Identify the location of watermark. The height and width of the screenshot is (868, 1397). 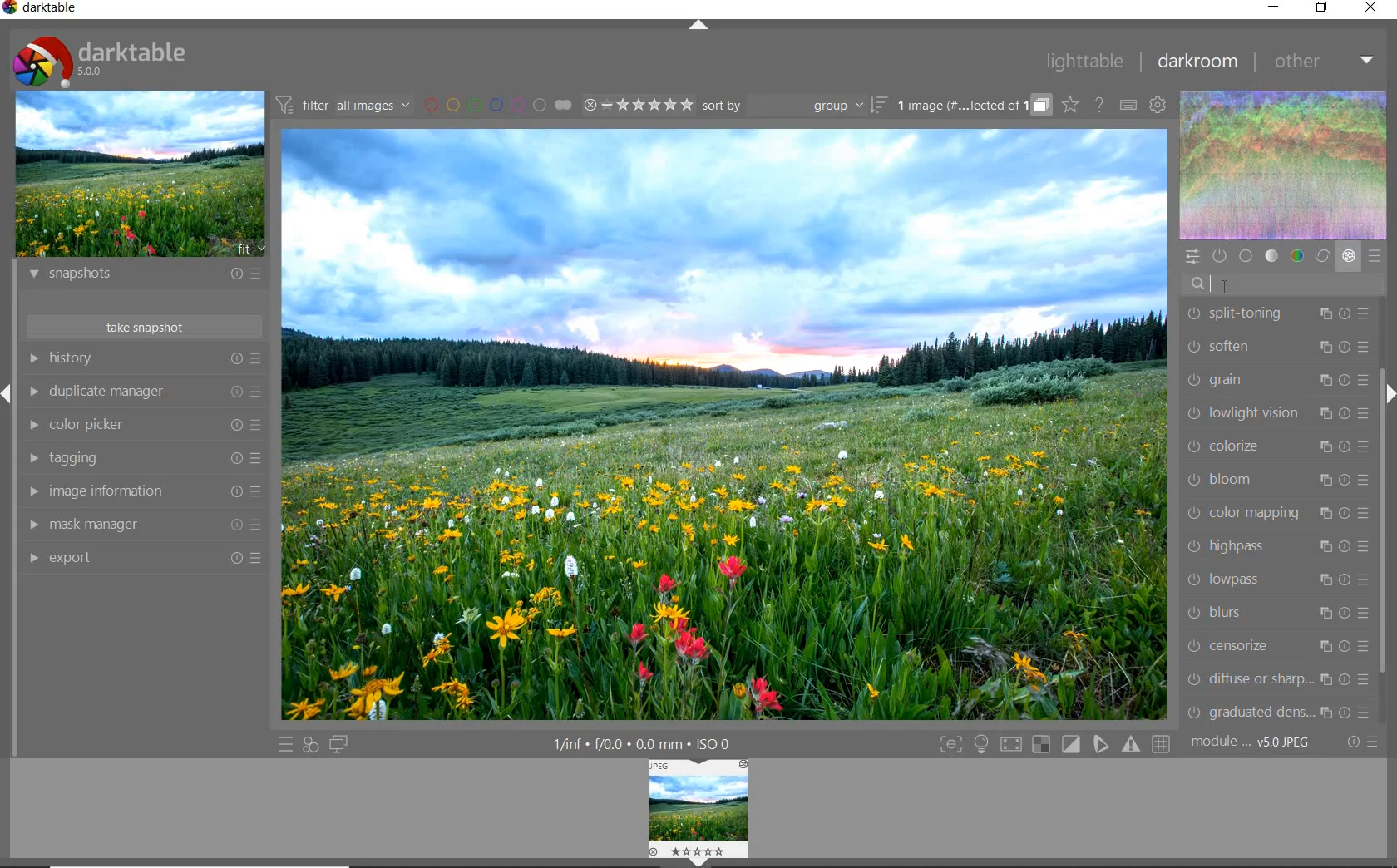
(1284, 284).